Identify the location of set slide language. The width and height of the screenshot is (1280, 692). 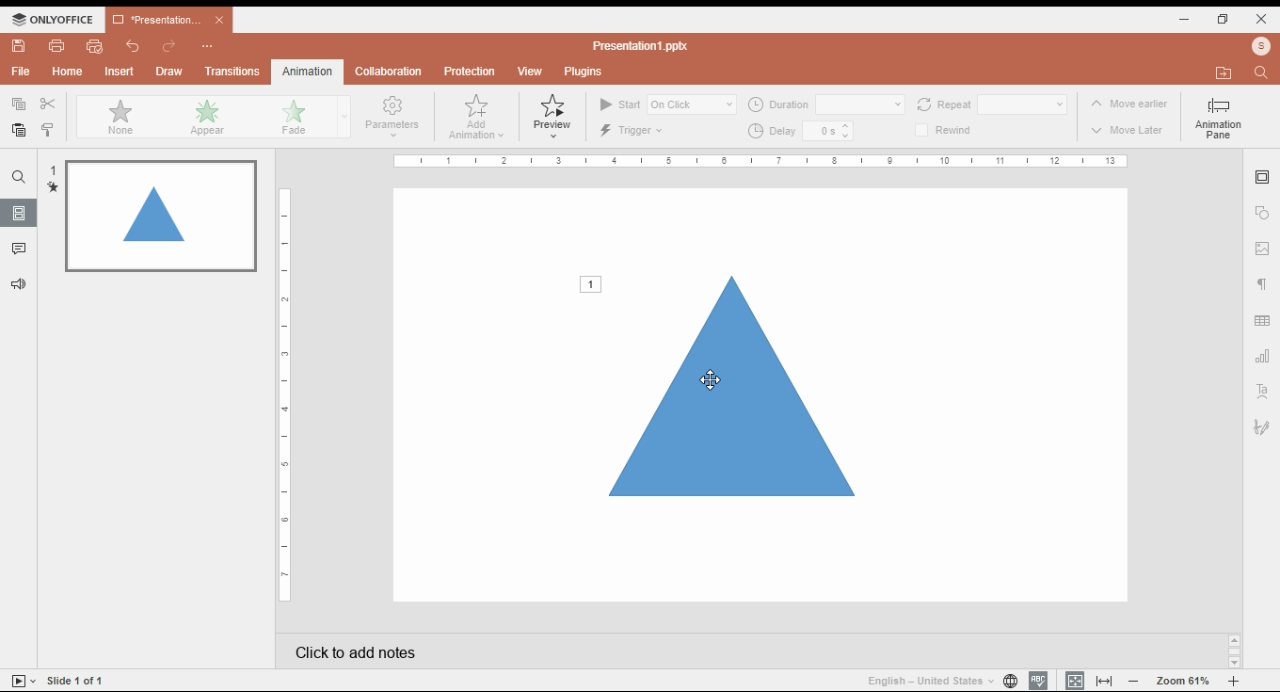
(1007, 679).